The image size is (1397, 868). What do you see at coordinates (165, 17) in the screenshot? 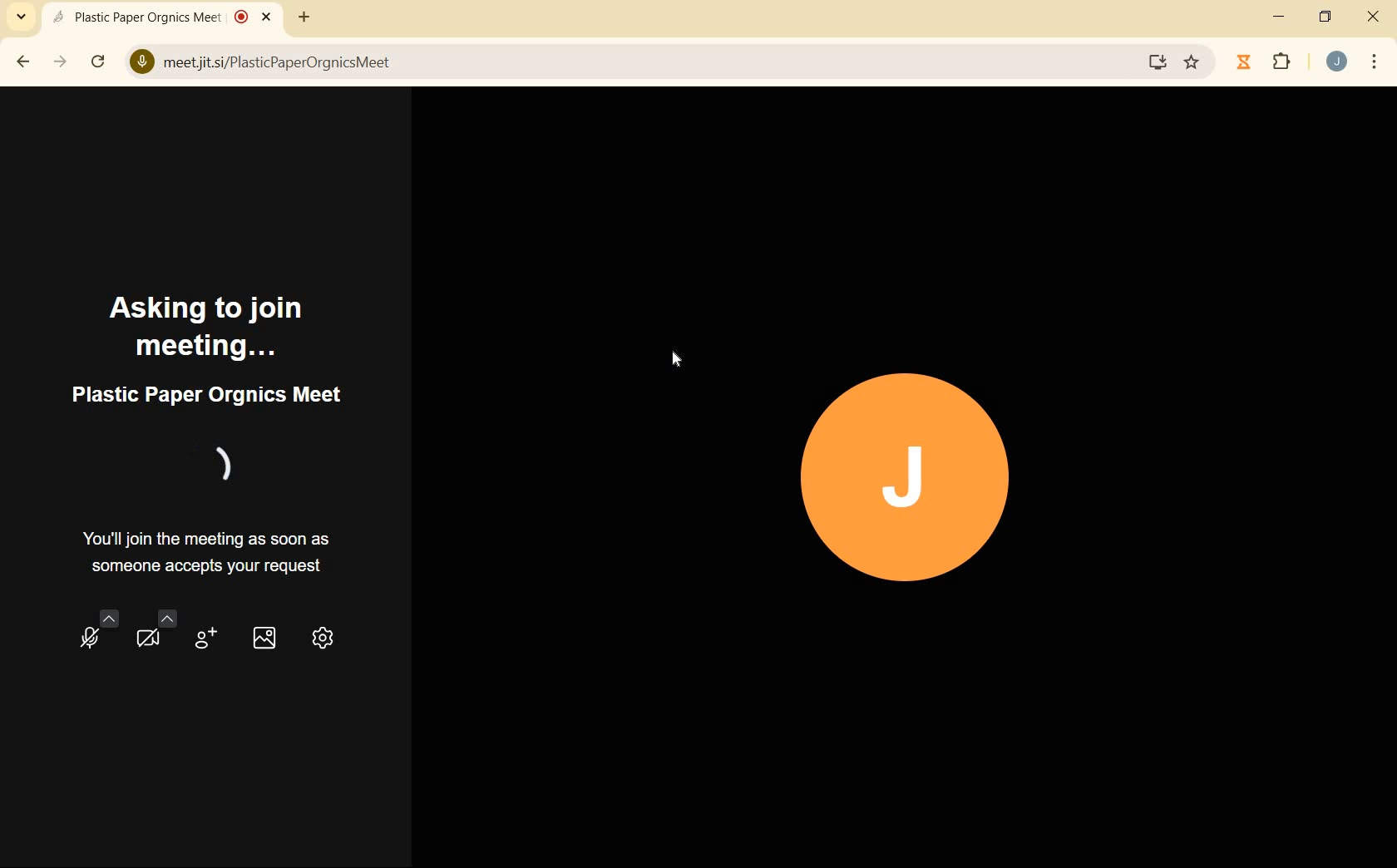
I see `current open tan` at bounding box center [165, 17].